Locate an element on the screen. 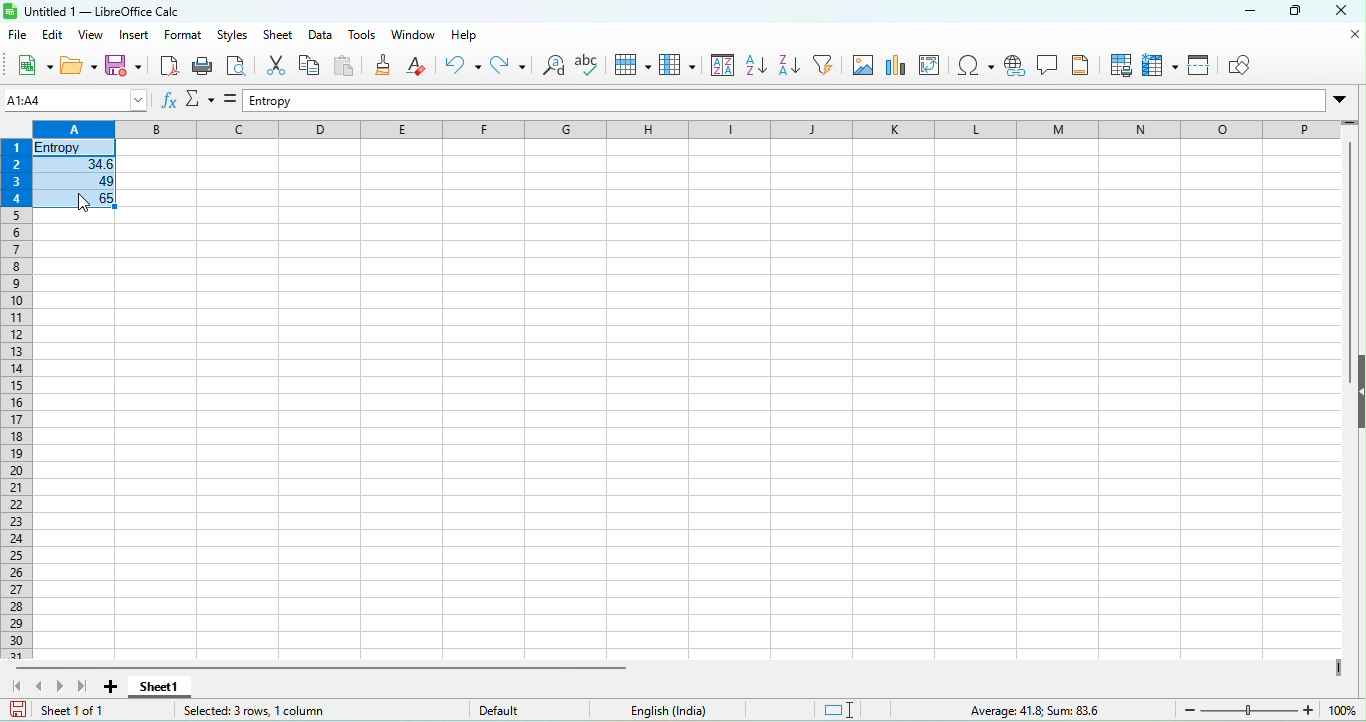 The image size is (1366, 722). select function is located at coordinates (203, 102).